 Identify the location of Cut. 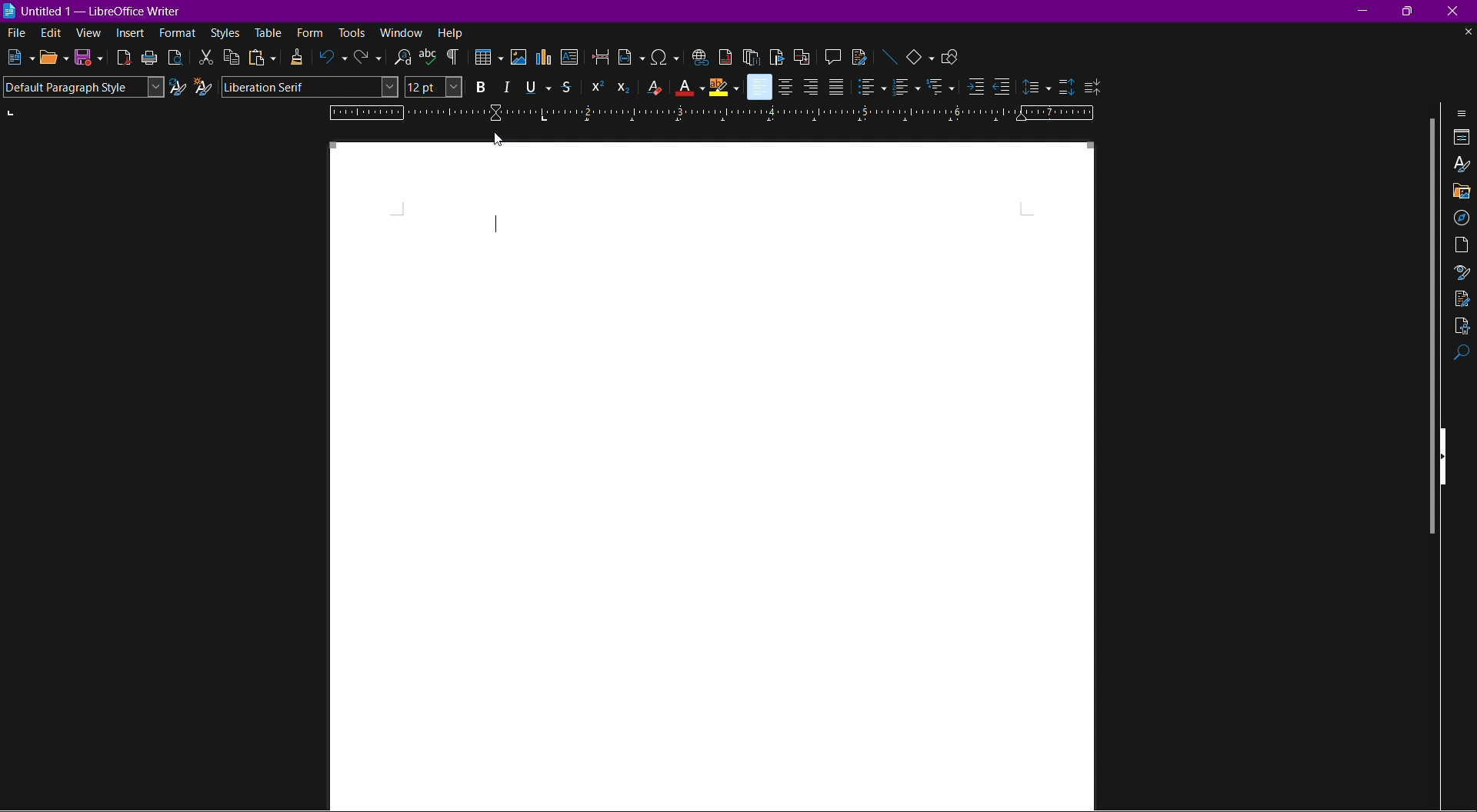
(205, 57).